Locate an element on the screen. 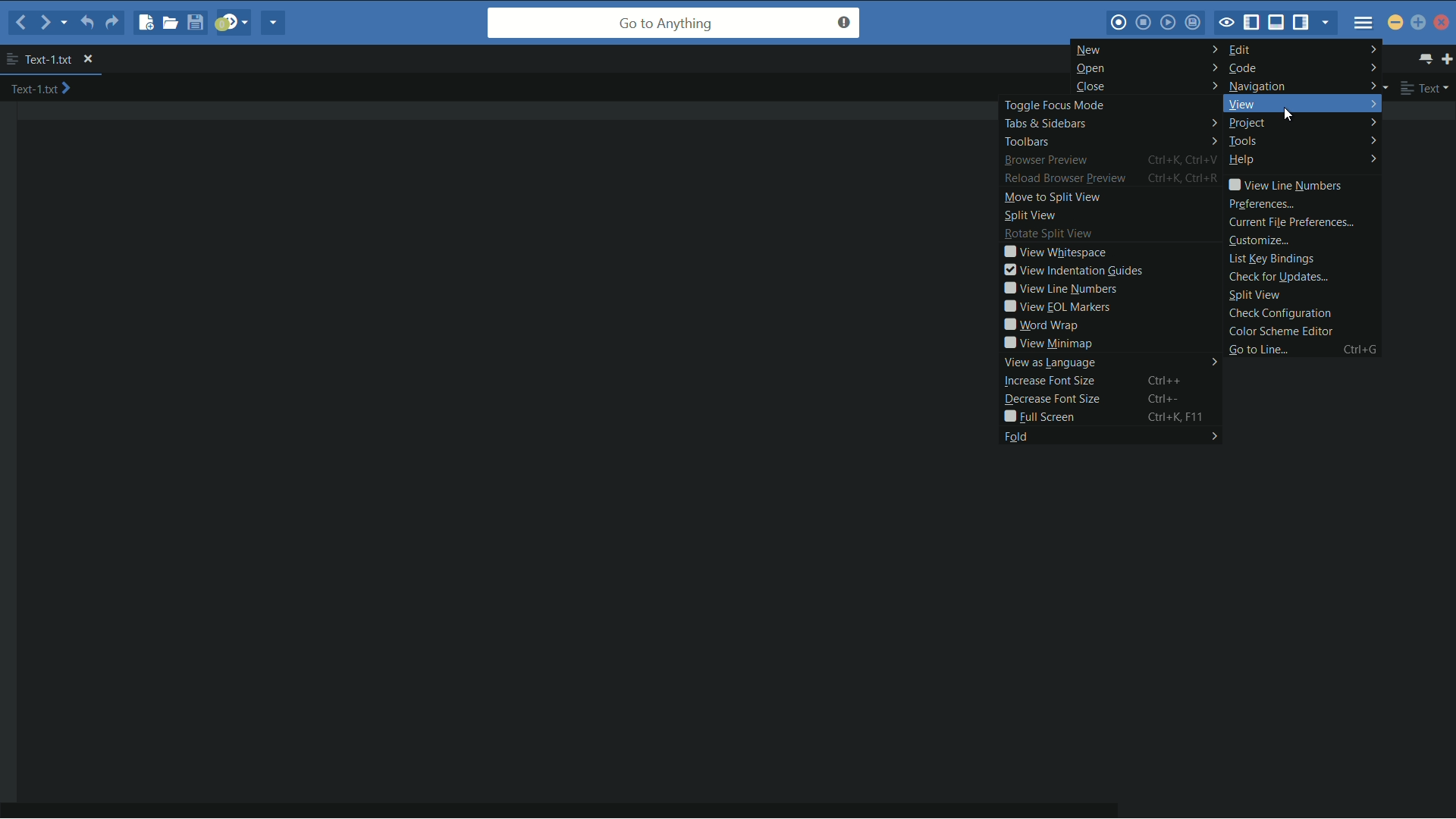 This screenshot has width=1456, height=819. view is located at coordinates (1298, 104).